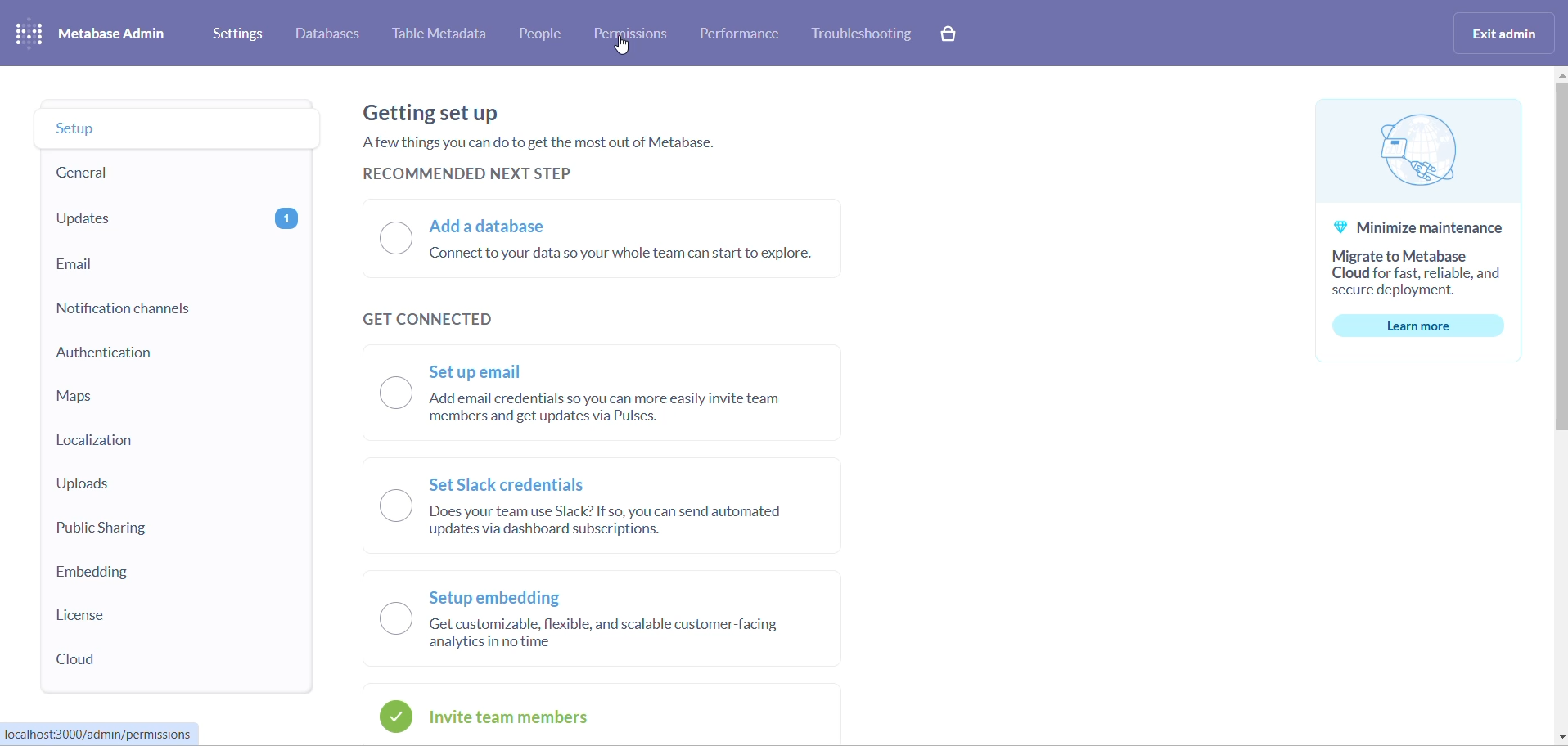  I want to click on public sharing, so click(140, 533).